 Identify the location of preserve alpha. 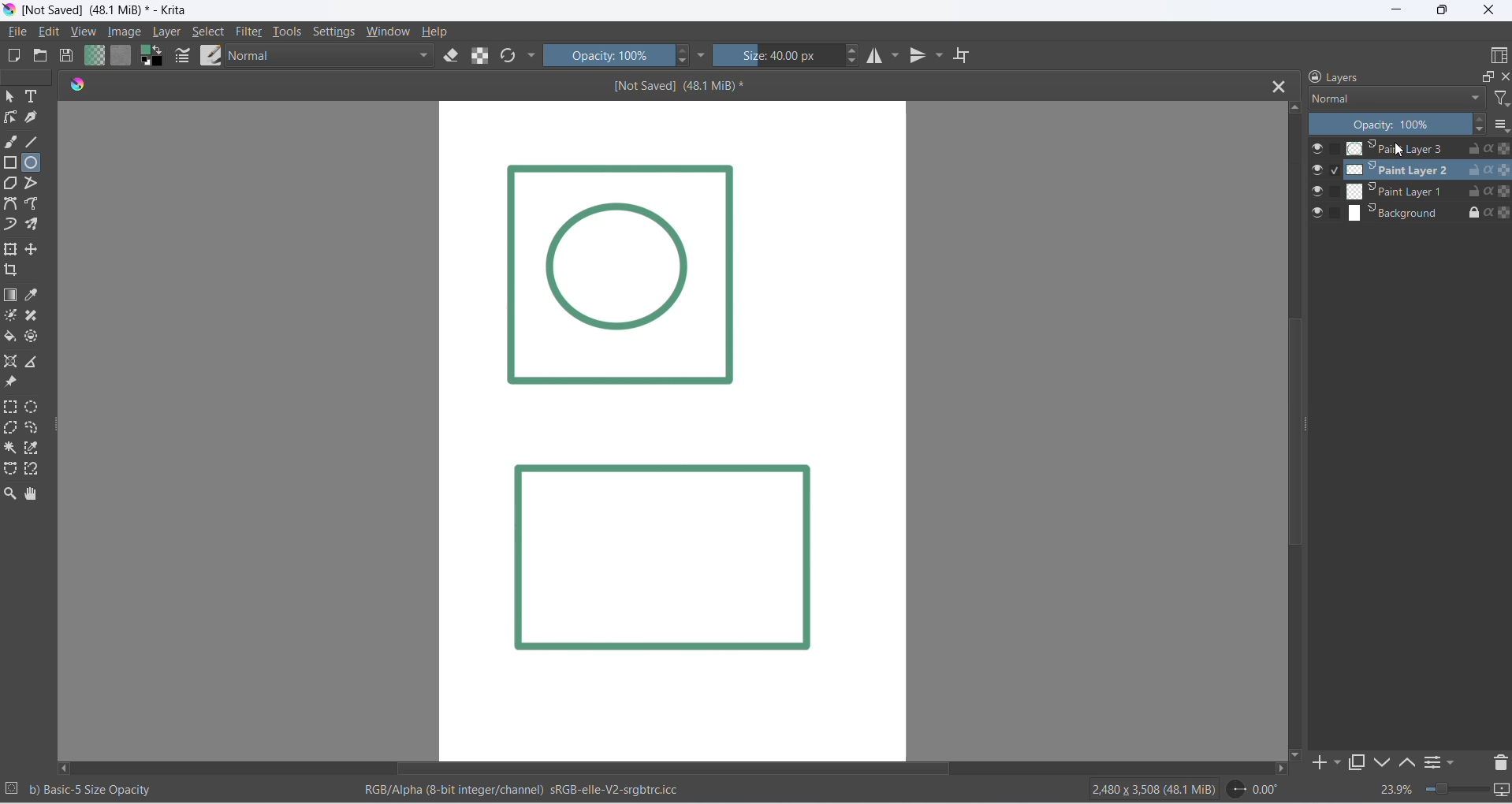
(1497, 148).